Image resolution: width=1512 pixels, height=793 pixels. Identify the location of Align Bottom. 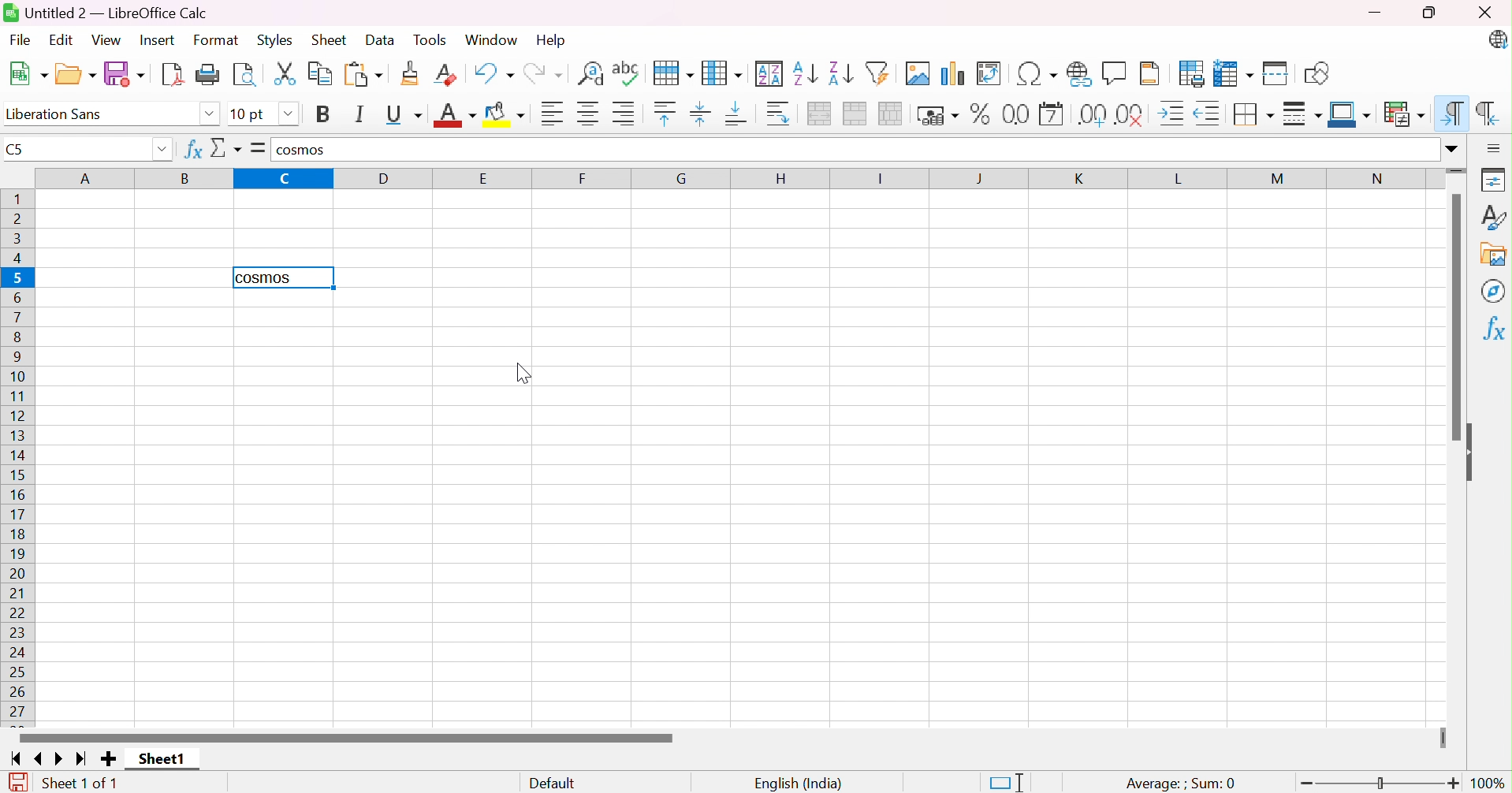
(740, 116).